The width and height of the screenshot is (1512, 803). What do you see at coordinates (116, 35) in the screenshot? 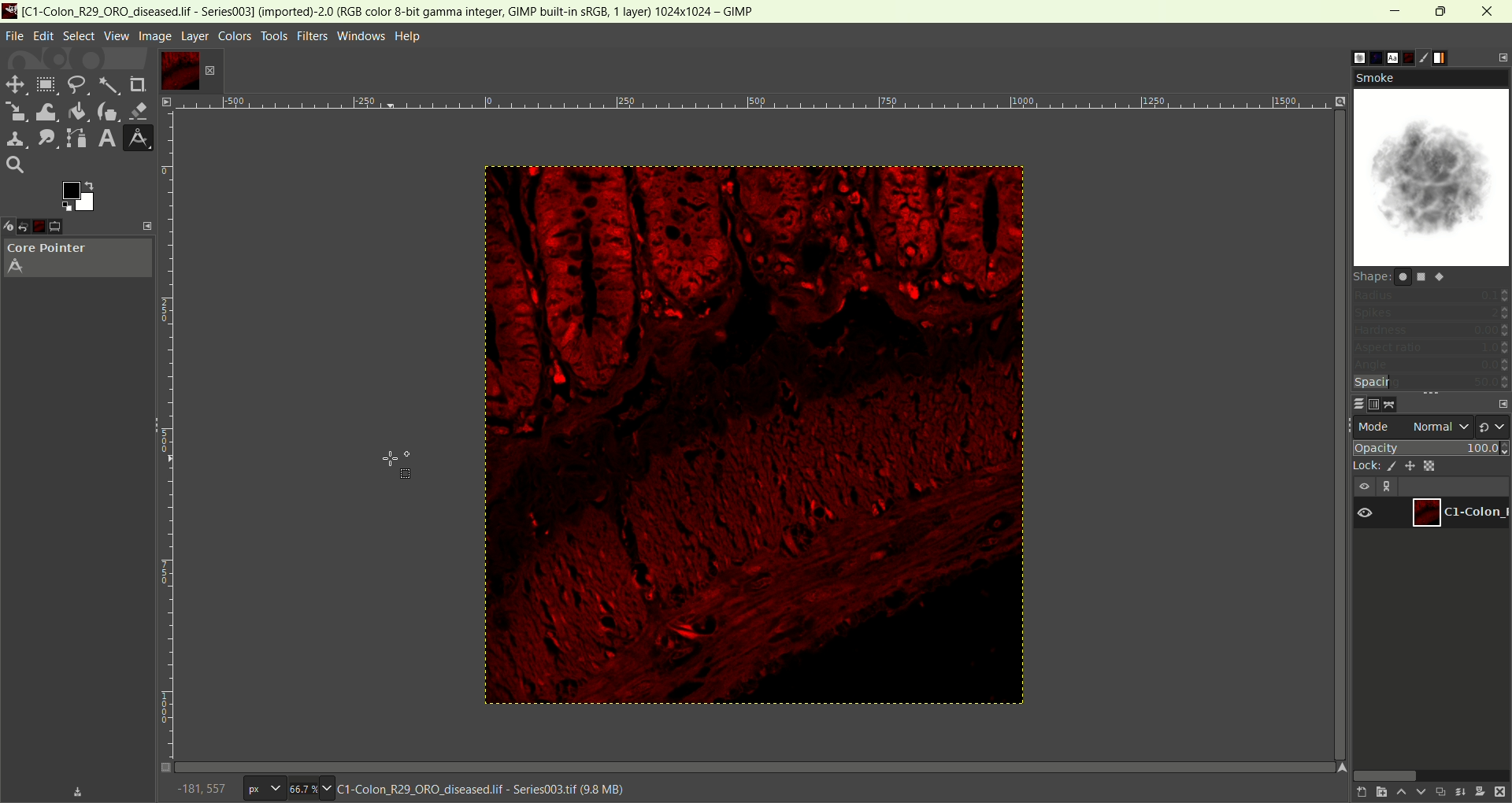
I see `view` at bounding box center [116, 35].